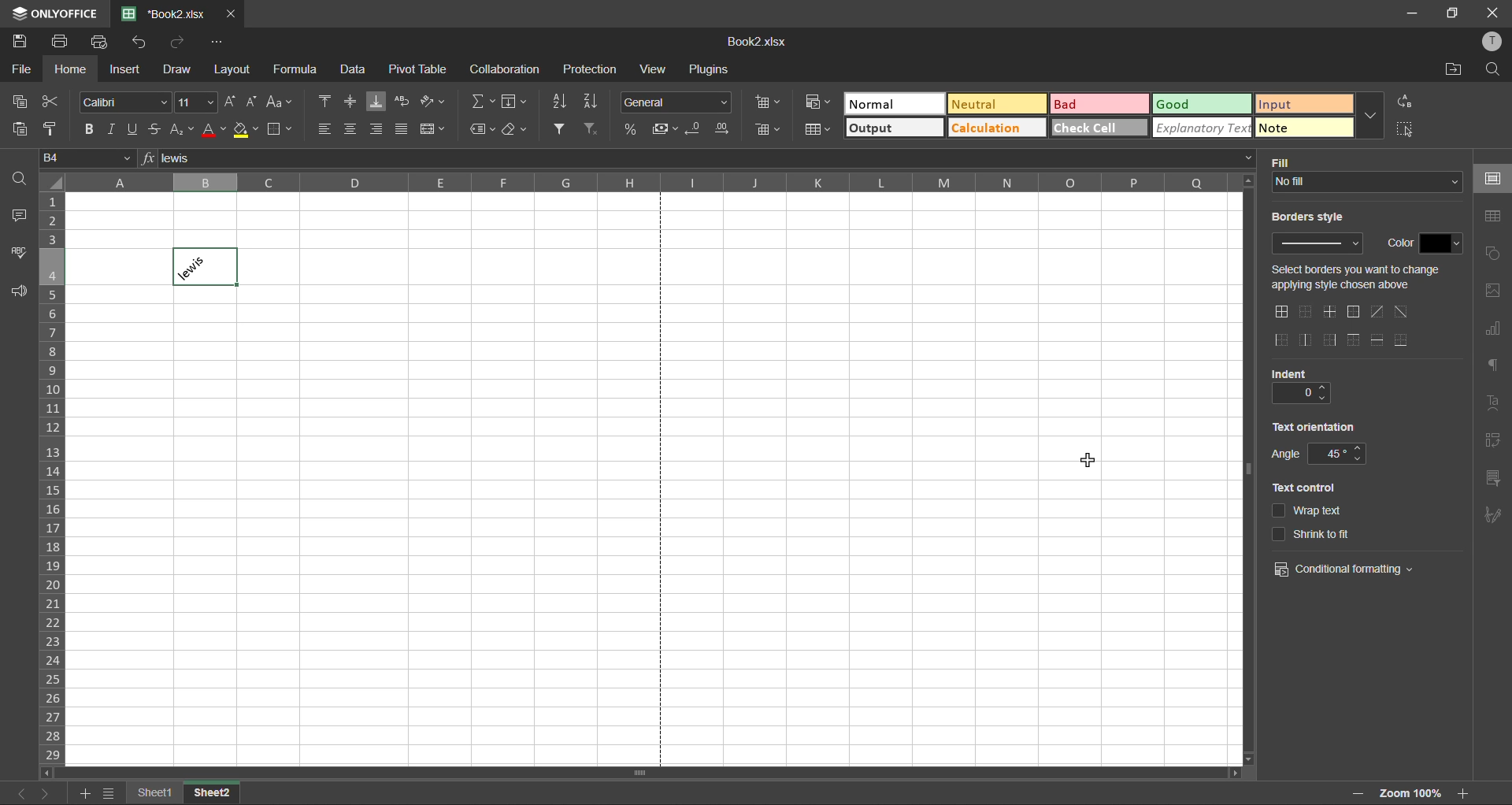 This screenshot has height=805, width=1512. What do you see at coordinates (282, 105) in the screenshot?
I see `change case` at bounding box center [282, 105].